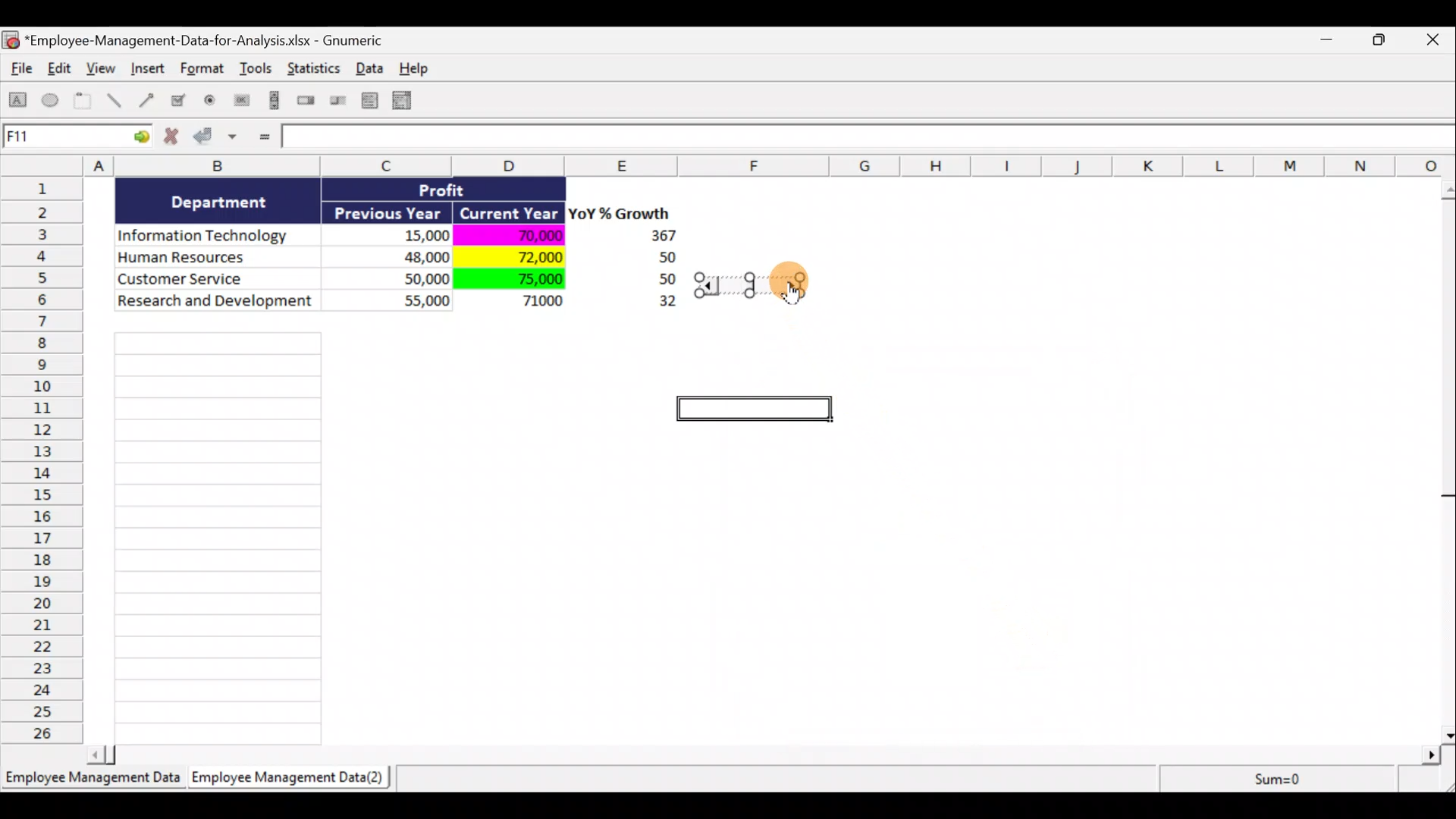 The image size is (1456, 819). What do you see at coordinates (733, 165) in the screenshot?
I see `Columns` at bounding box center [733, 165].